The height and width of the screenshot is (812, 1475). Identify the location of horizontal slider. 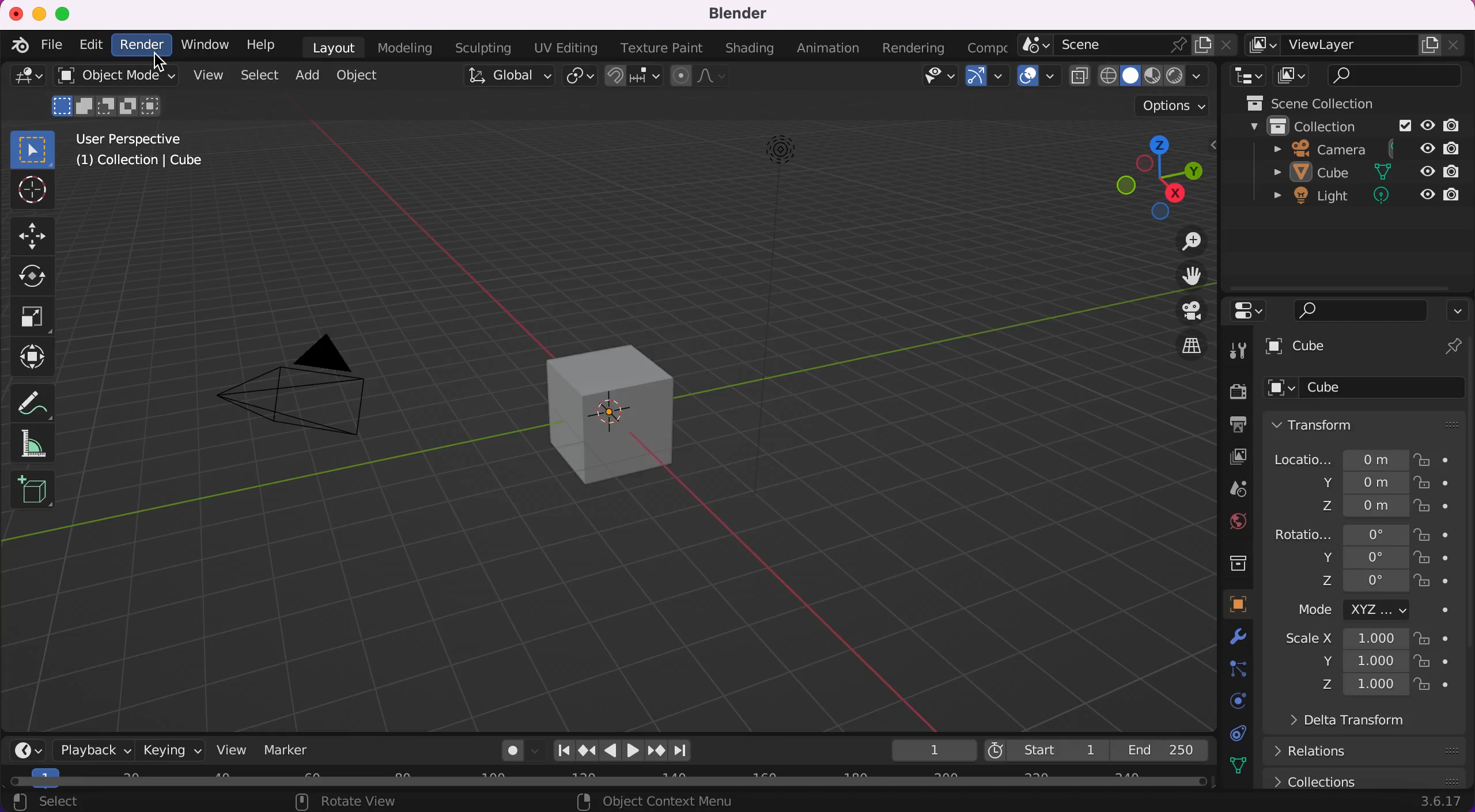
(618, 782).